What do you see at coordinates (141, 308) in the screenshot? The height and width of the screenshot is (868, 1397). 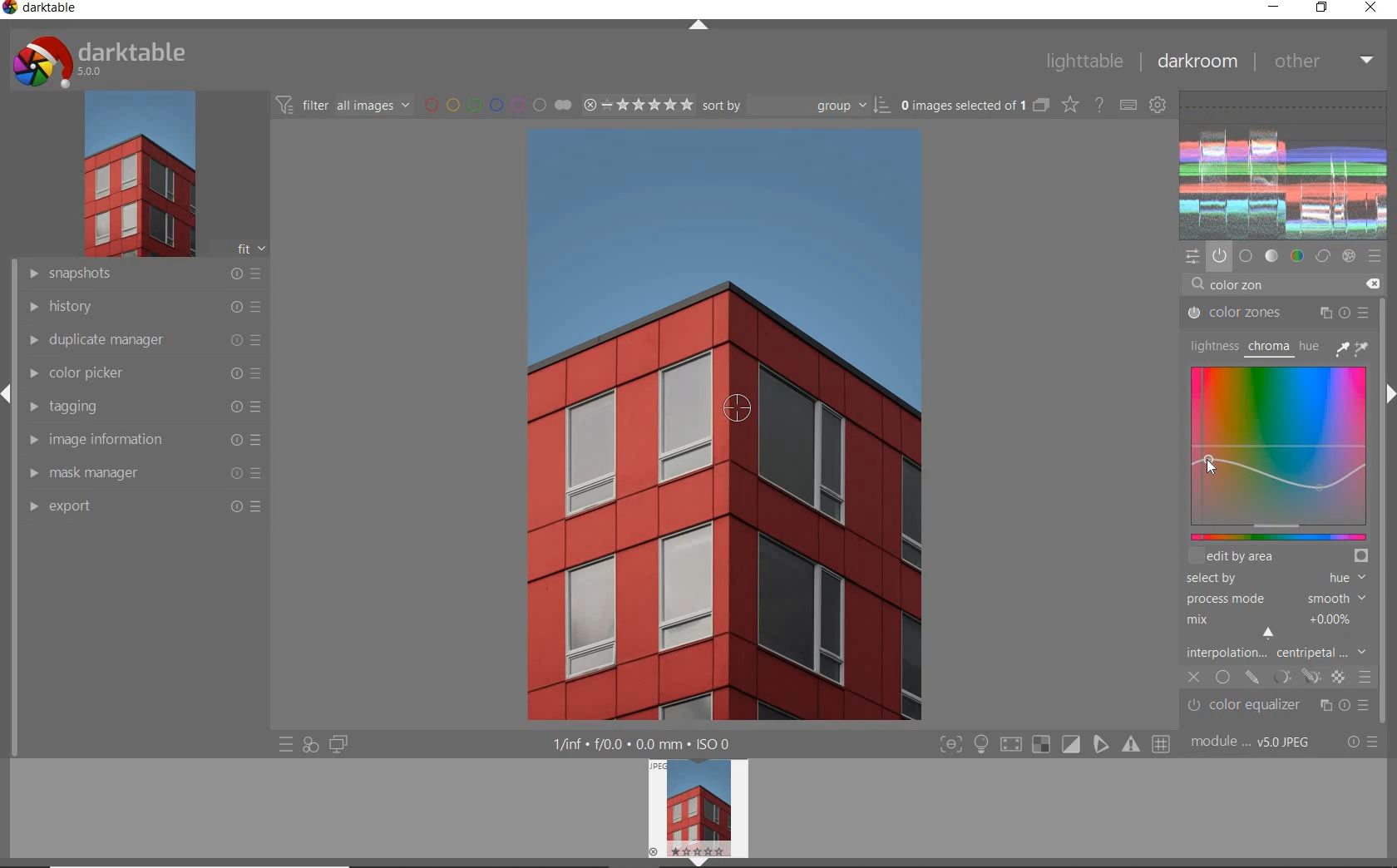 I see `history` at bounding box center [141, 308].